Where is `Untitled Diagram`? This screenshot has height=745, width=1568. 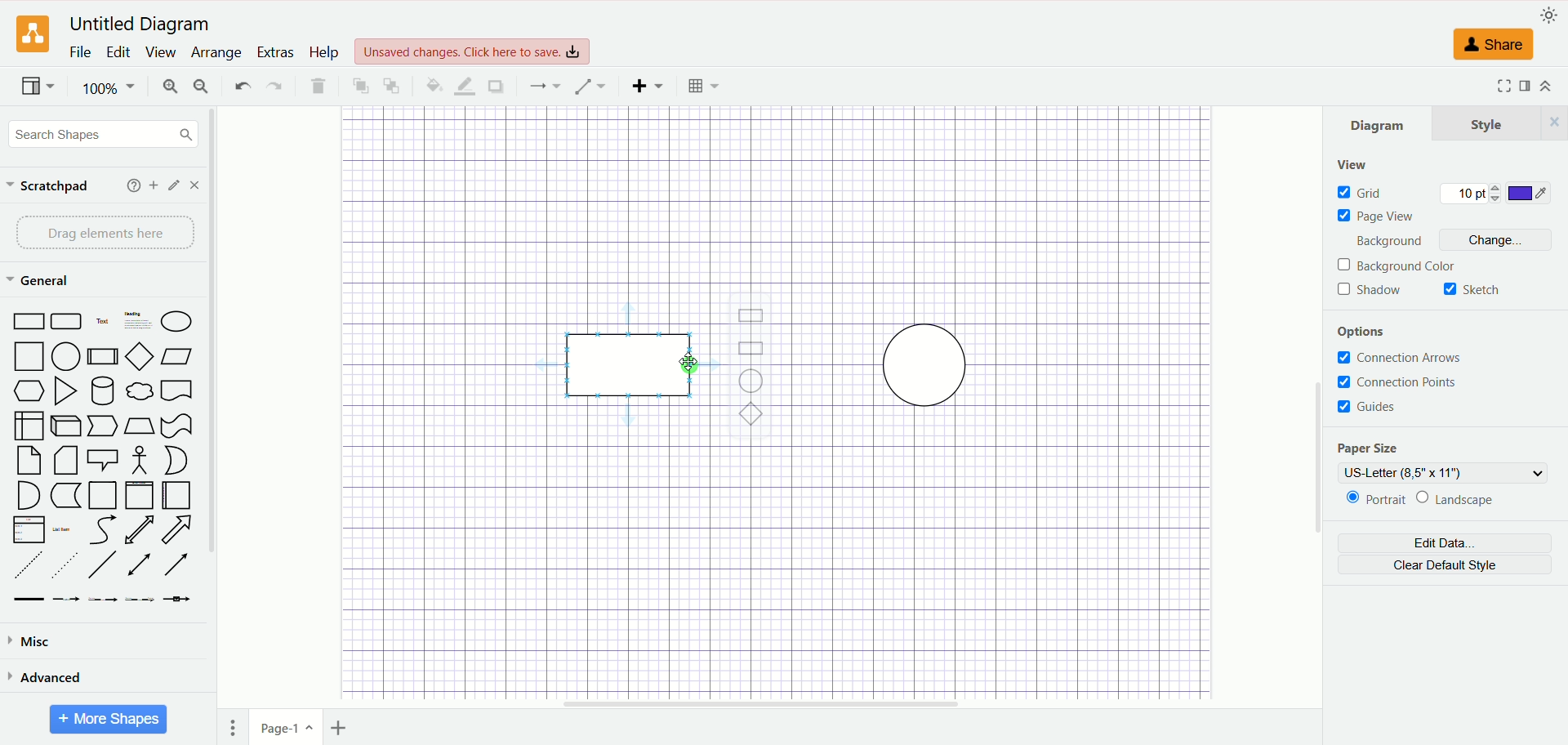
Untitled Diagram is located at coordinates (140, 25).